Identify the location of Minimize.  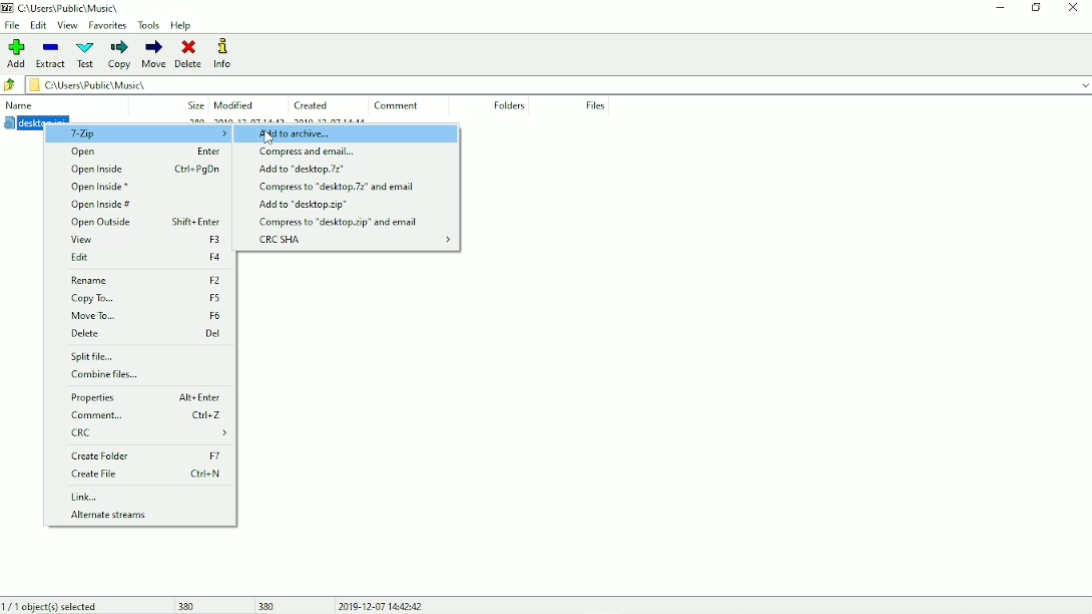
(1001, 8).